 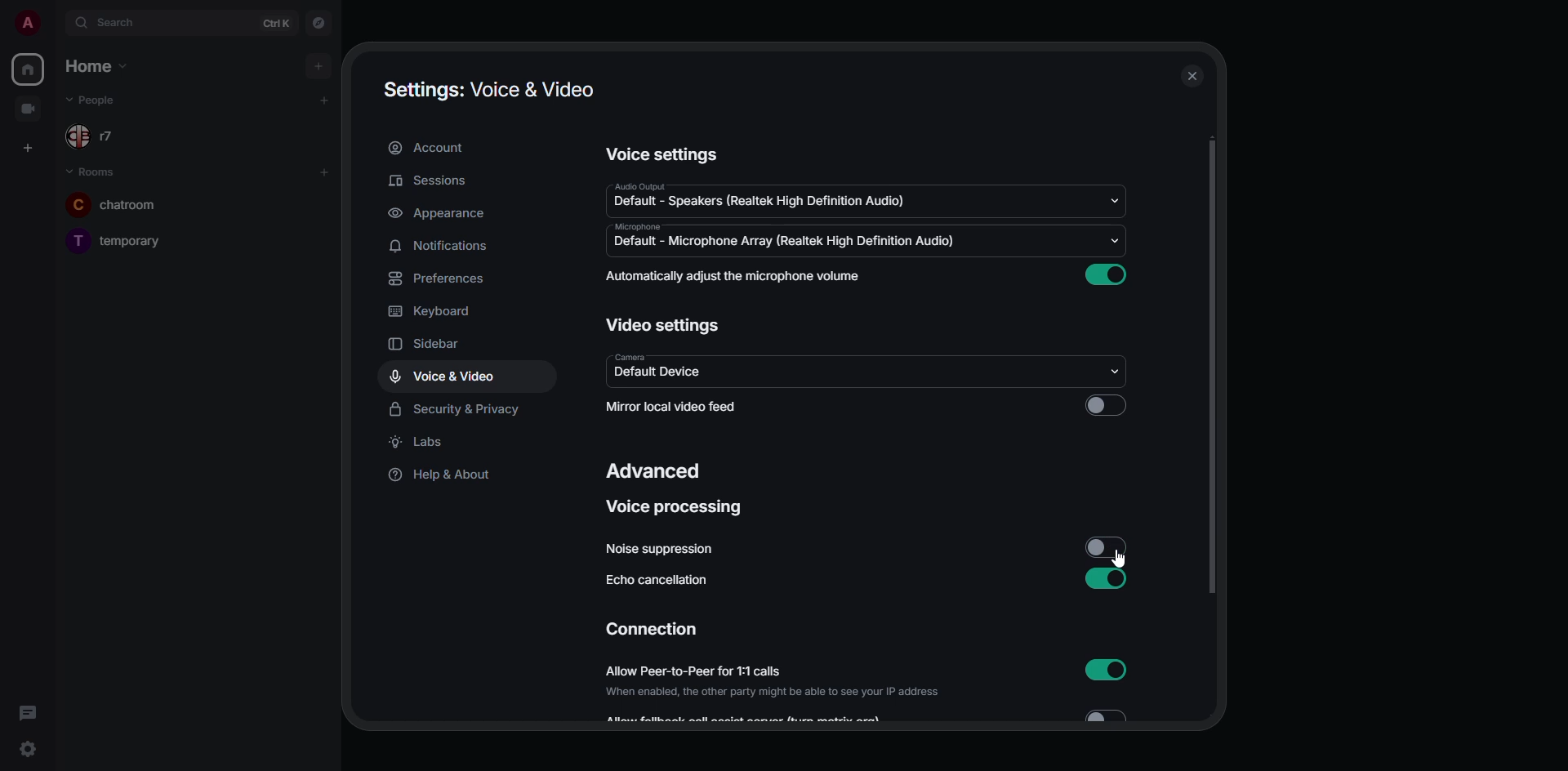 What do you see at coordinates (94, 100) in the screenshot?
I see `r7` at bounding box center [94, 100].